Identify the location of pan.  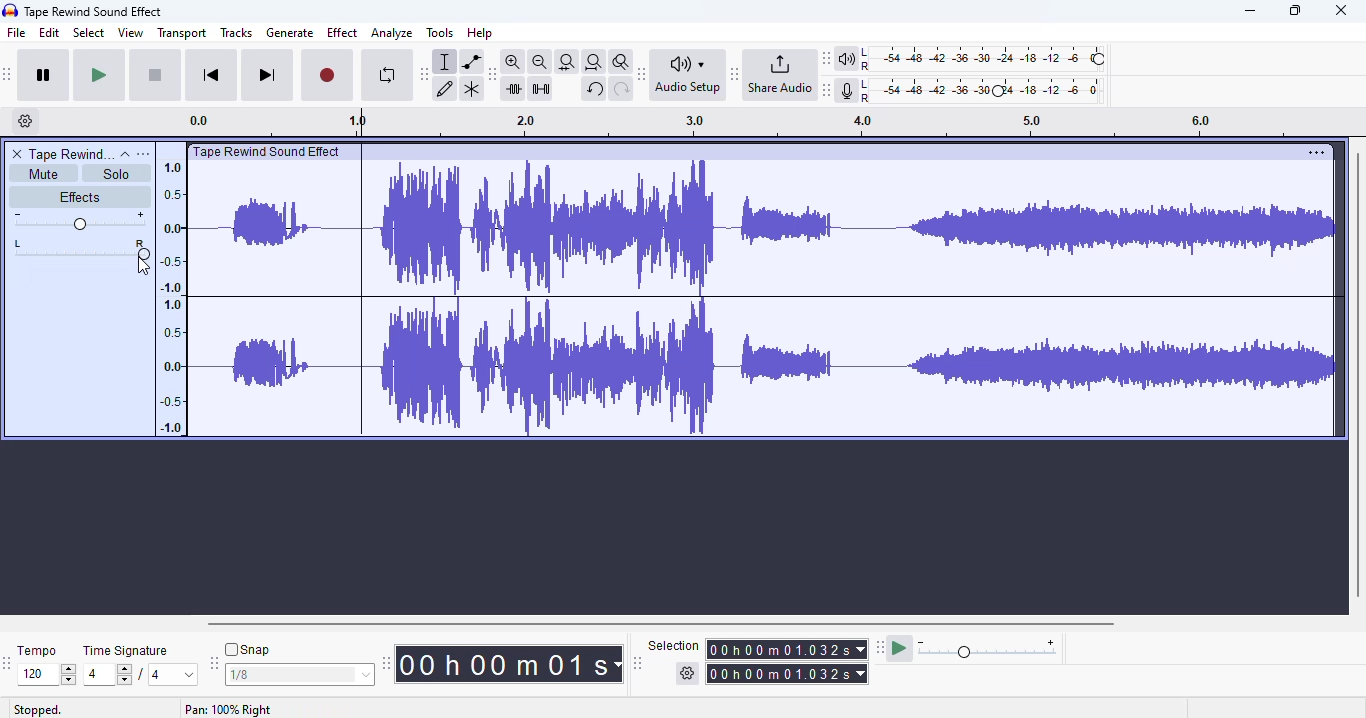
(93, 249).